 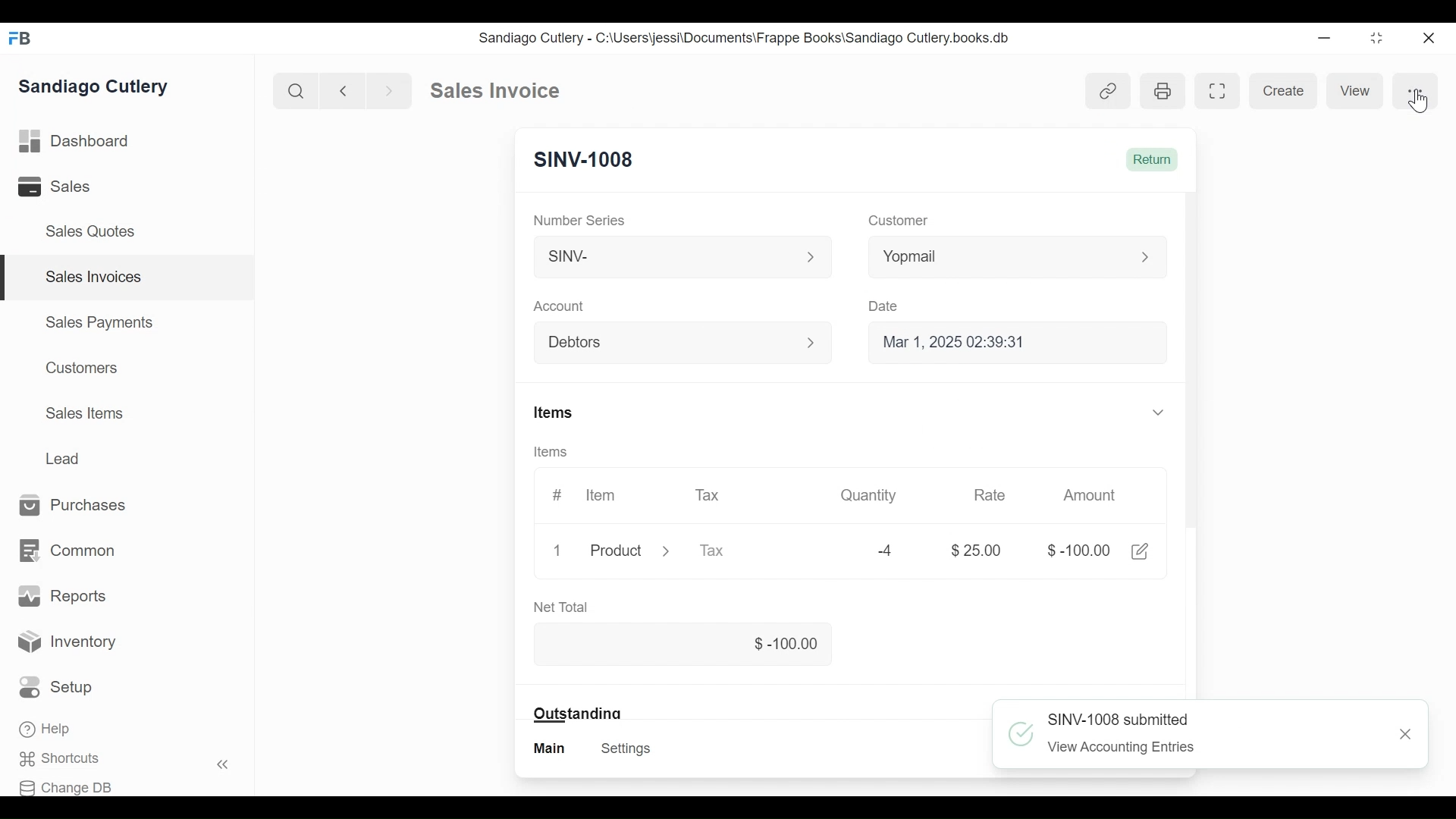 What do you see at coordinates (1140, 551) in the screenshot?
I see `Edit` at bounding box center [1140, 551].